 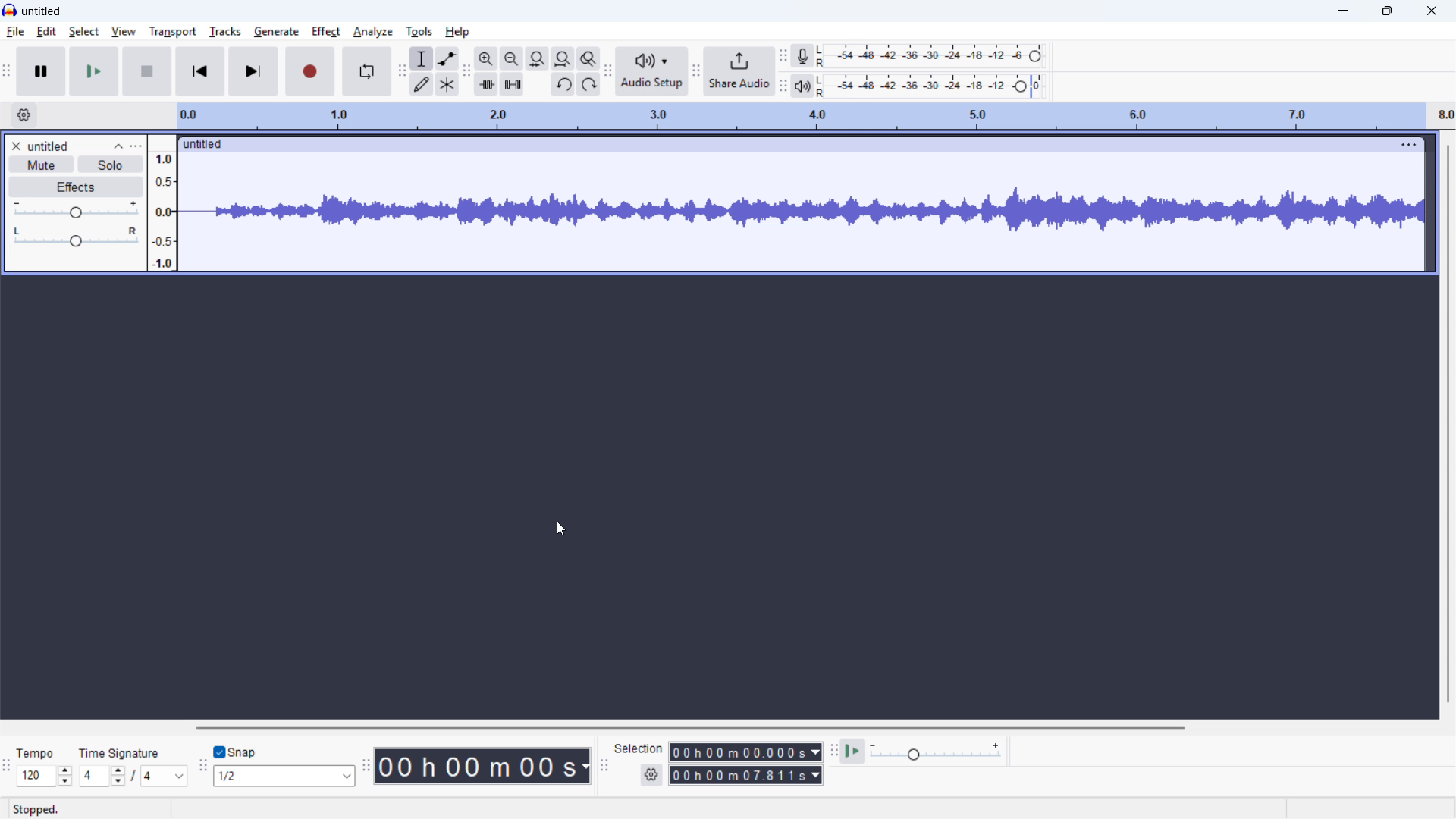 What do you see at coordinates (588, 84) in the screenshot?
I see `Re-do ` at bounding box center [588, 84].